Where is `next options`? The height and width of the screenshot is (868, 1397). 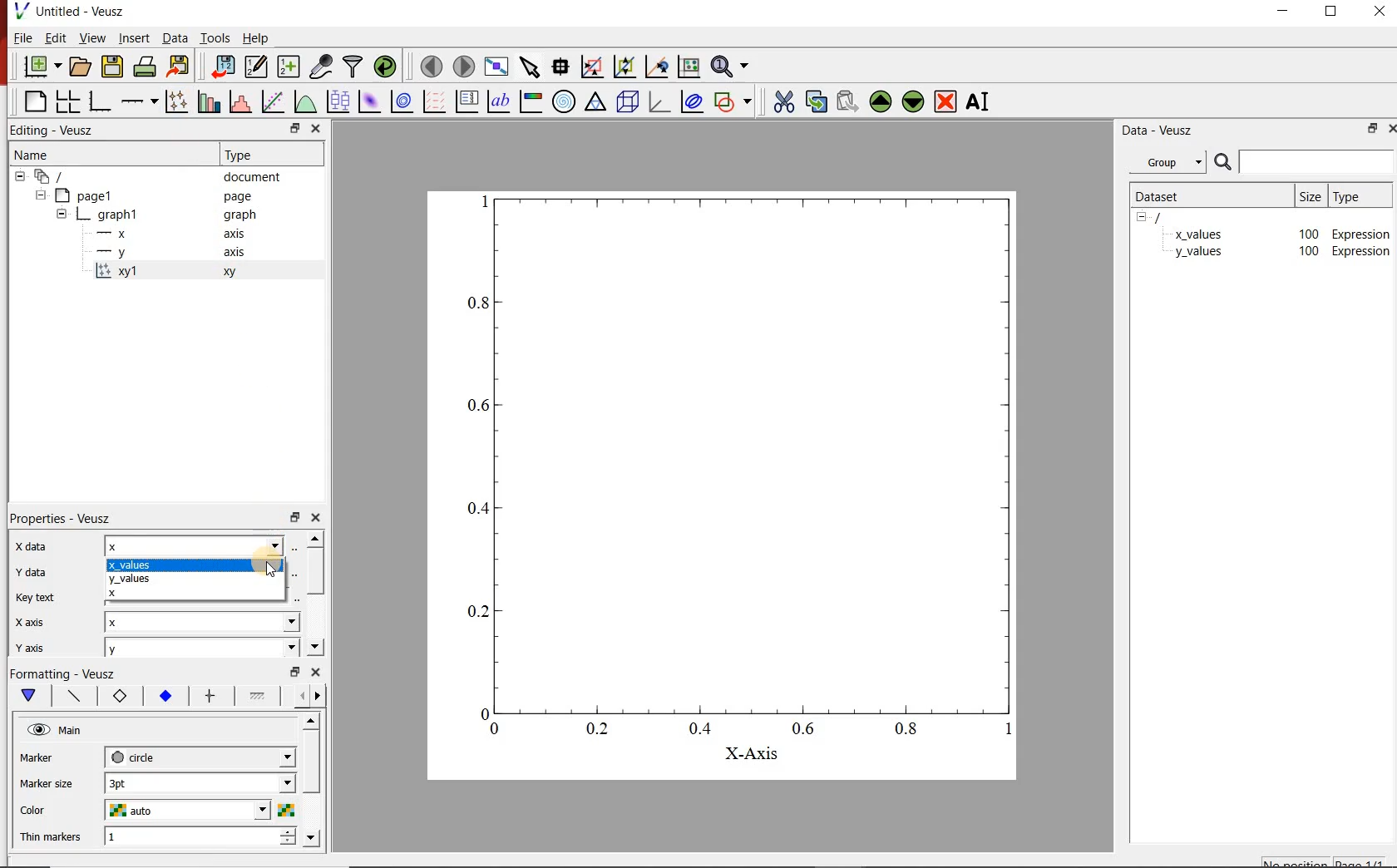 next options is located at coordinates (321, 697).